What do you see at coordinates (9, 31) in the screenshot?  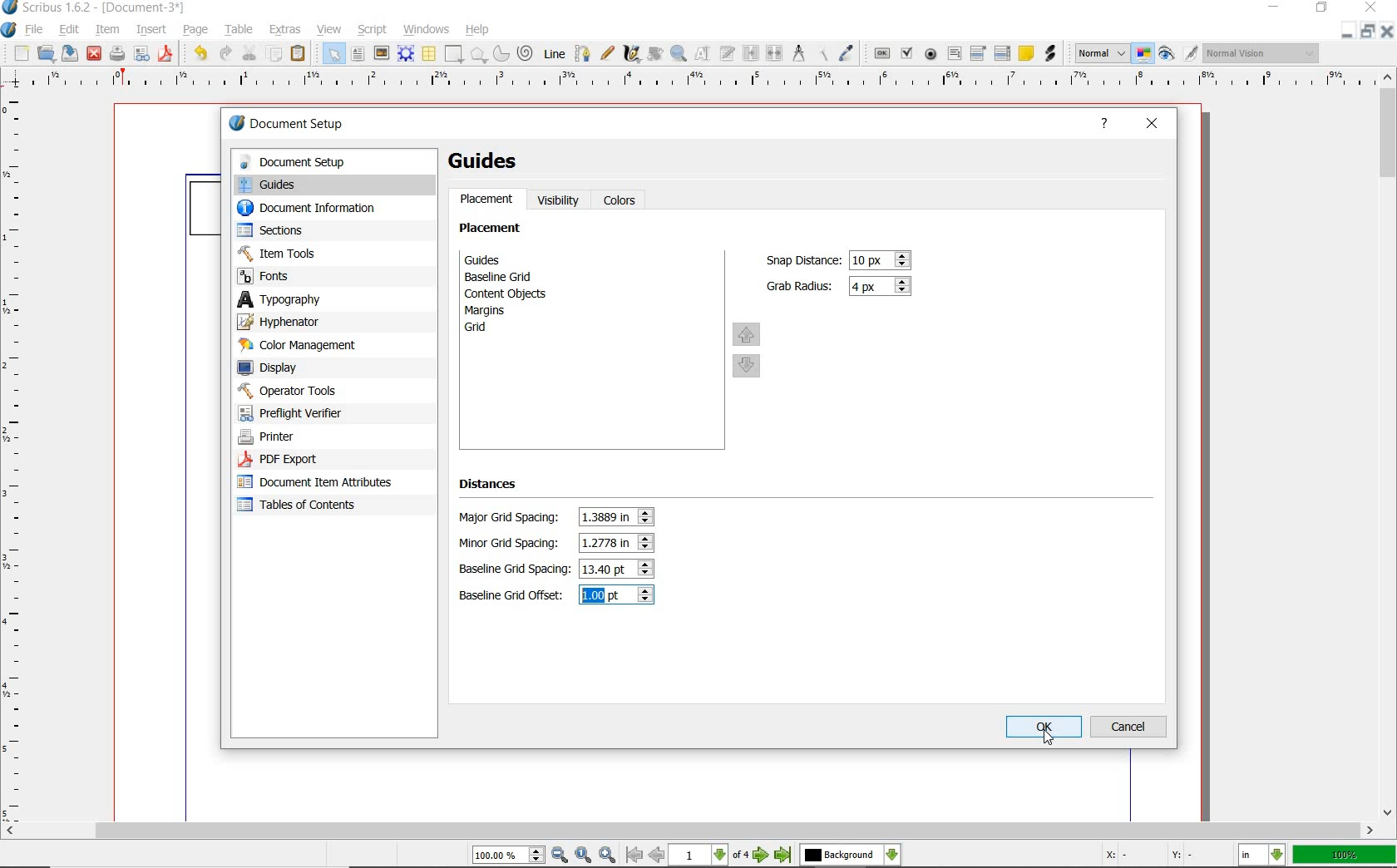 I see `system logo` at bounding box center [9, 31].